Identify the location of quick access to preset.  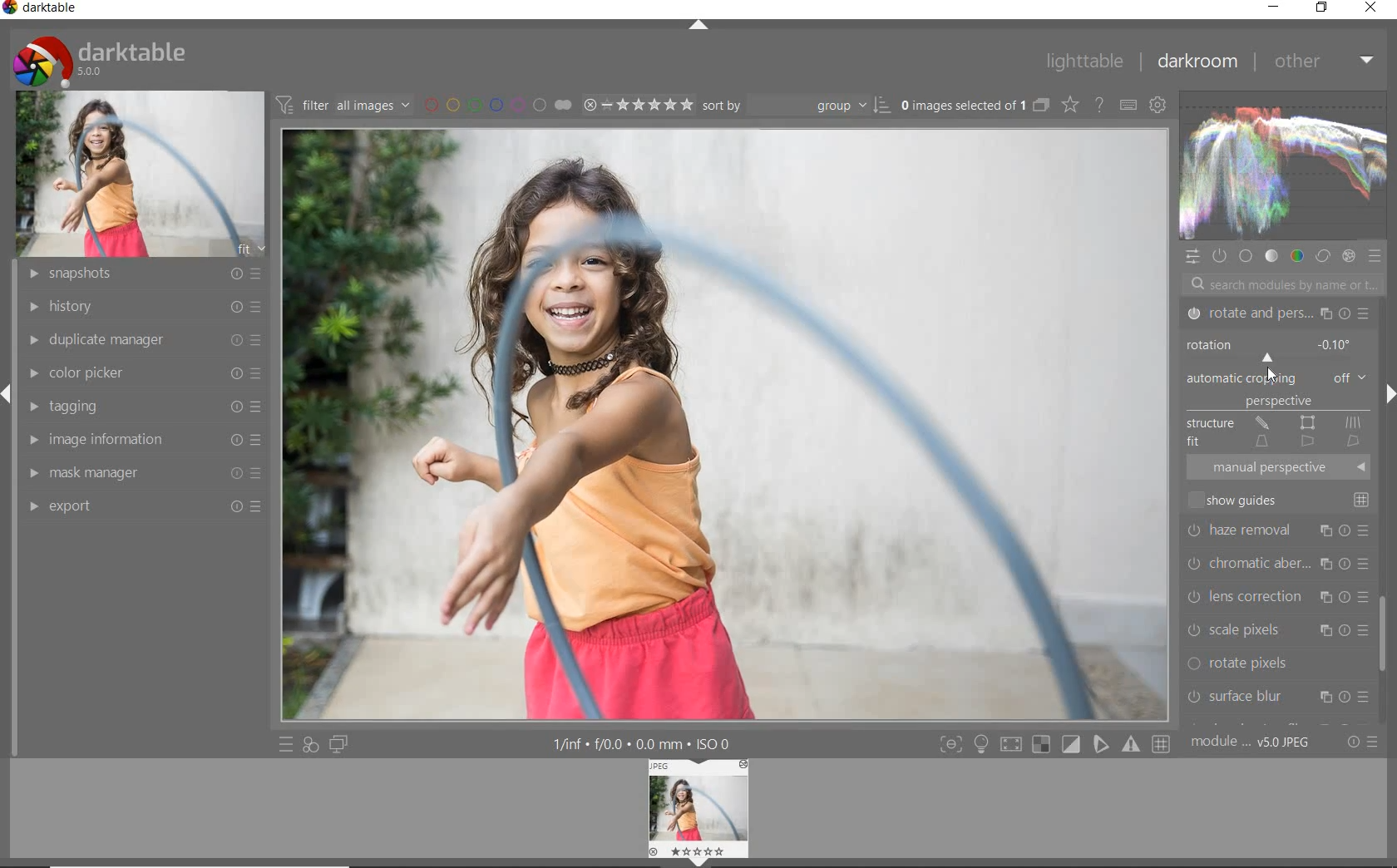
(287, 743).